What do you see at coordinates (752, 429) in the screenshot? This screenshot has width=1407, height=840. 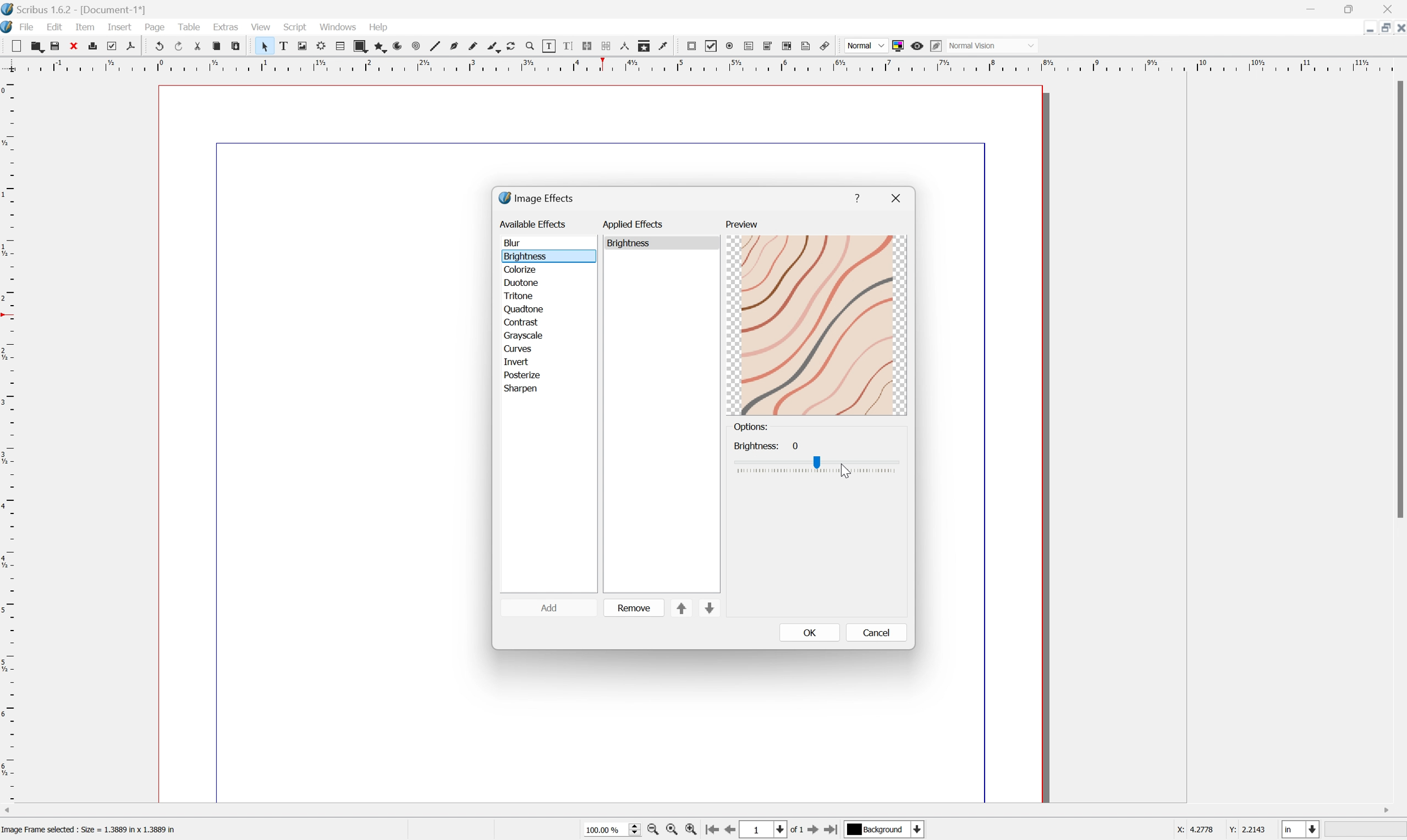 I see `options:` at bounding box center [752, 429].